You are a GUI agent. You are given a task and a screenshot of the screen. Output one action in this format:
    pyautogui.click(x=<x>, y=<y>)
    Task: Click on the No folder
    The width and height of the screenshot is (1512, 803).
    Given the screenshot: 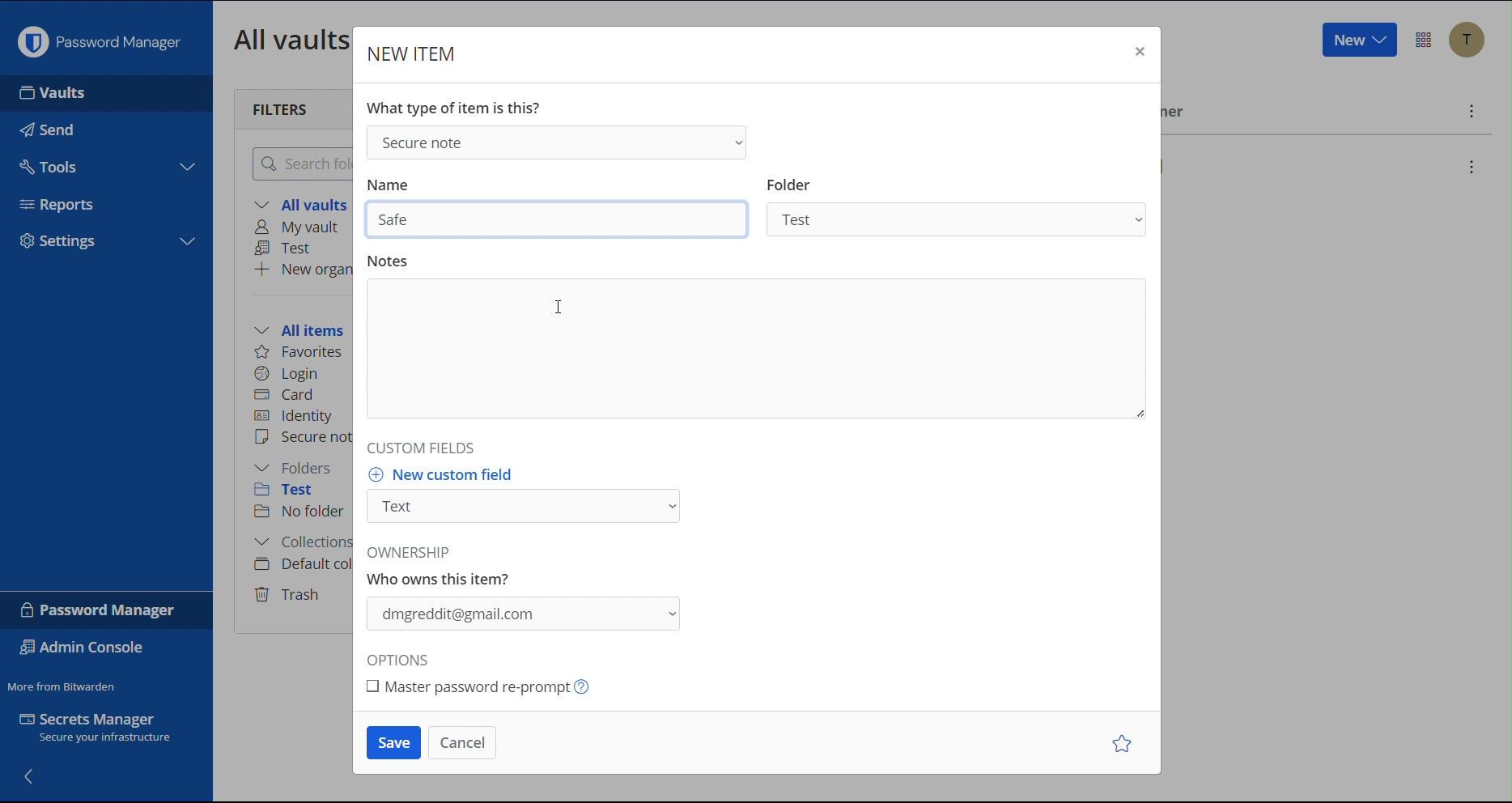 What is the action you would take?
    pyautogui.click(x=301, y=512)
    